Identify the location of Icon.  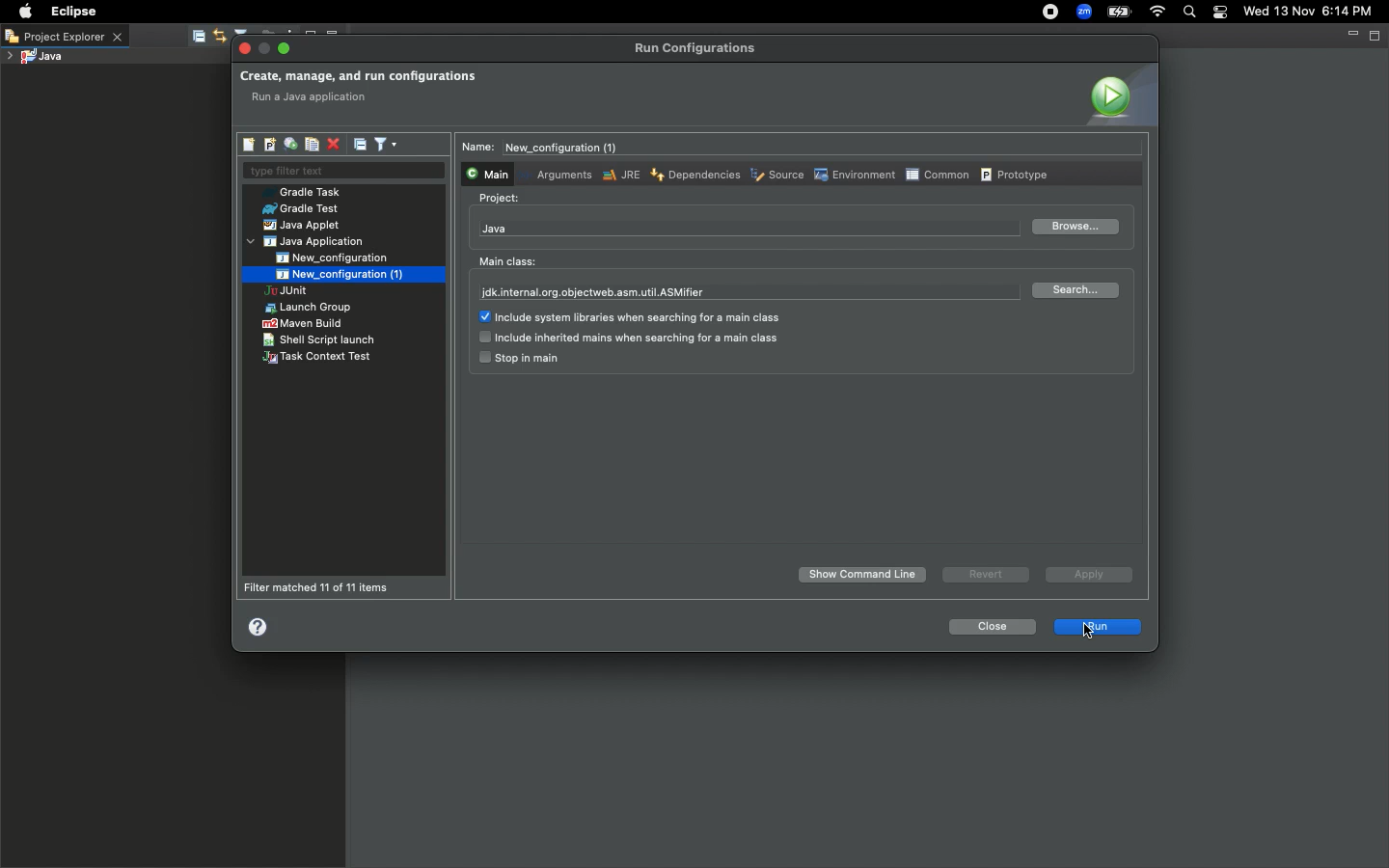
(1119, 95).